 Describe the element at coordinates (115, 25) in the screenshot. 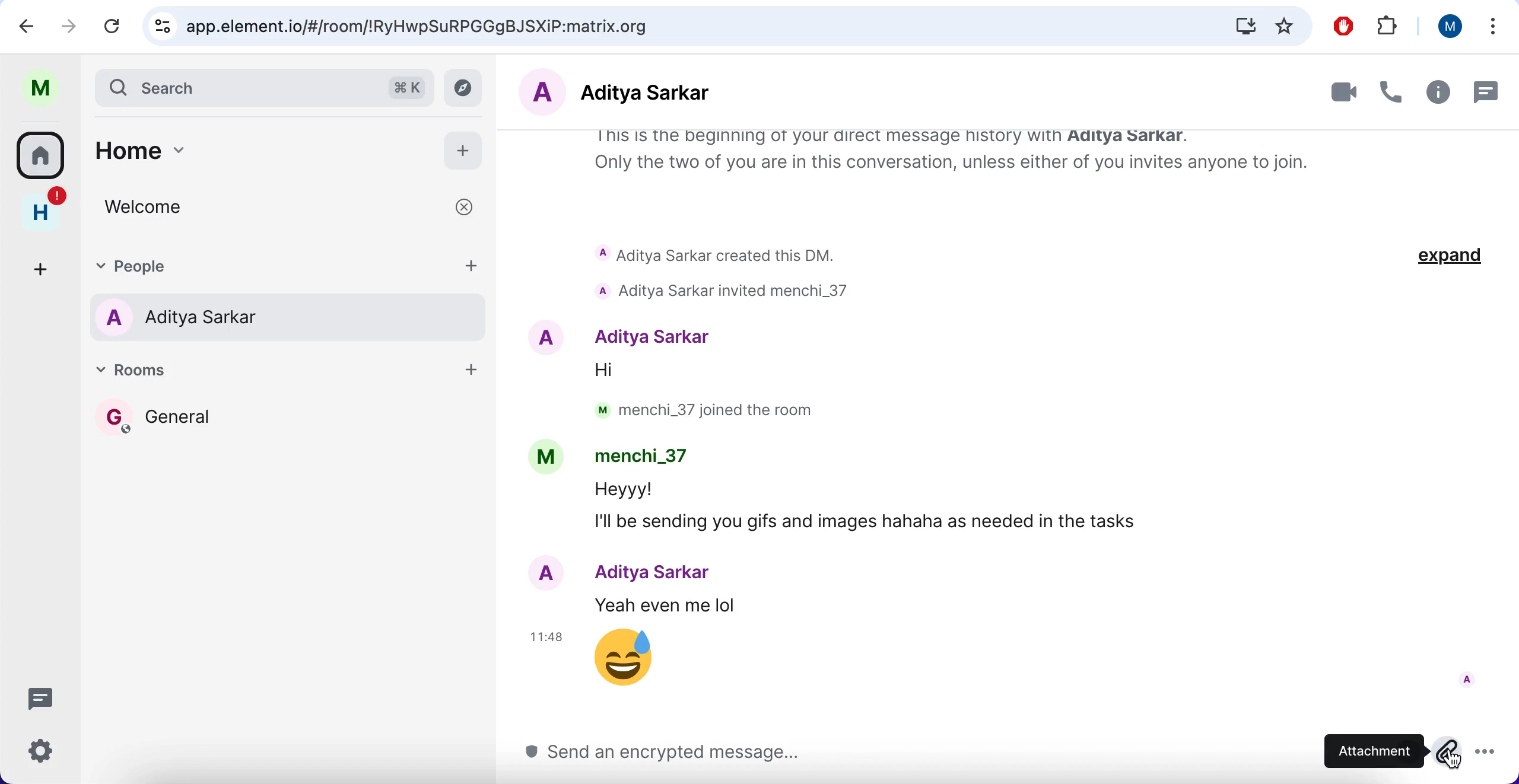

I see `reload current page` at that location.